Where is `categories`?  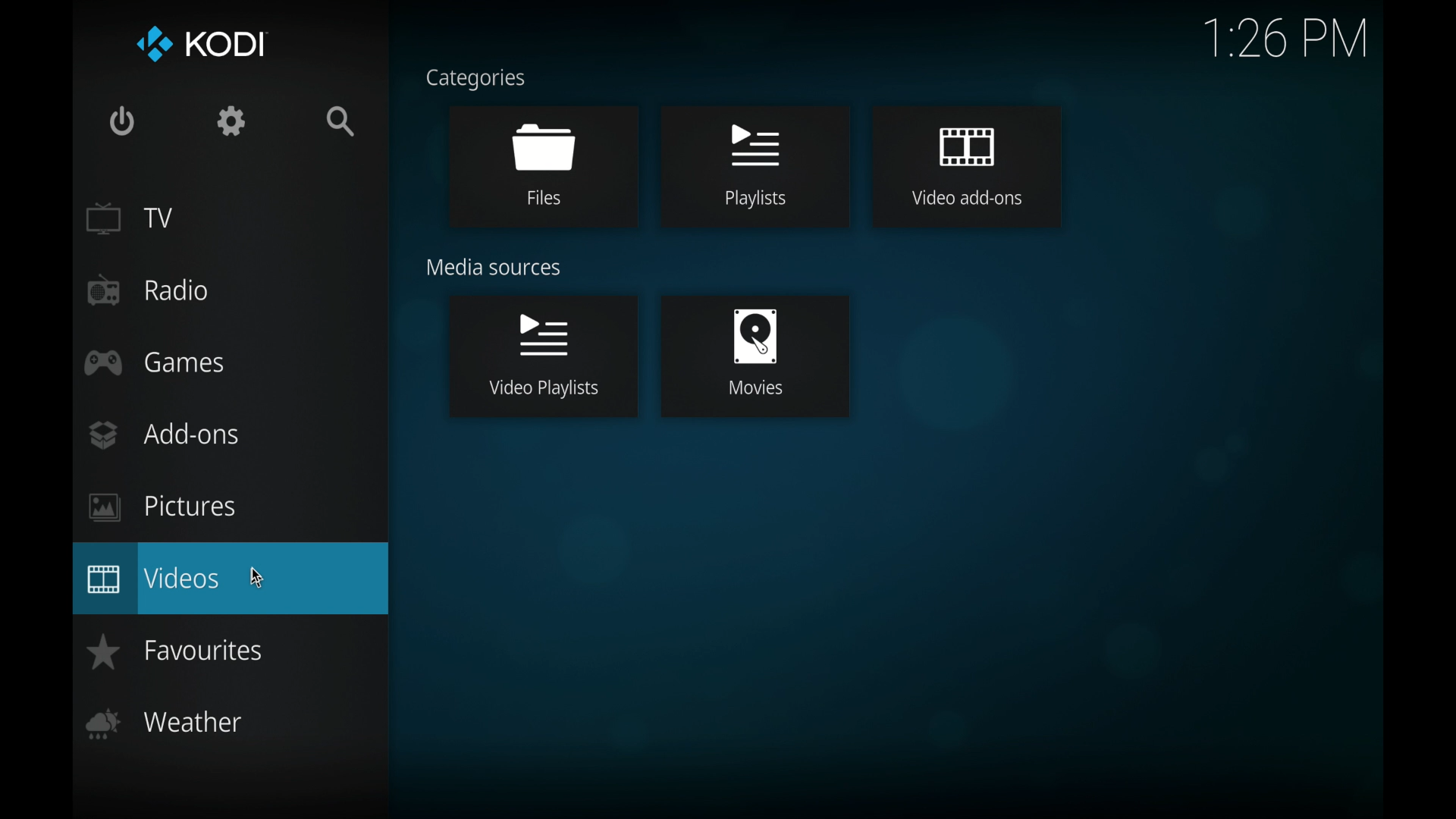
categories is located at coordinates (475, 80).